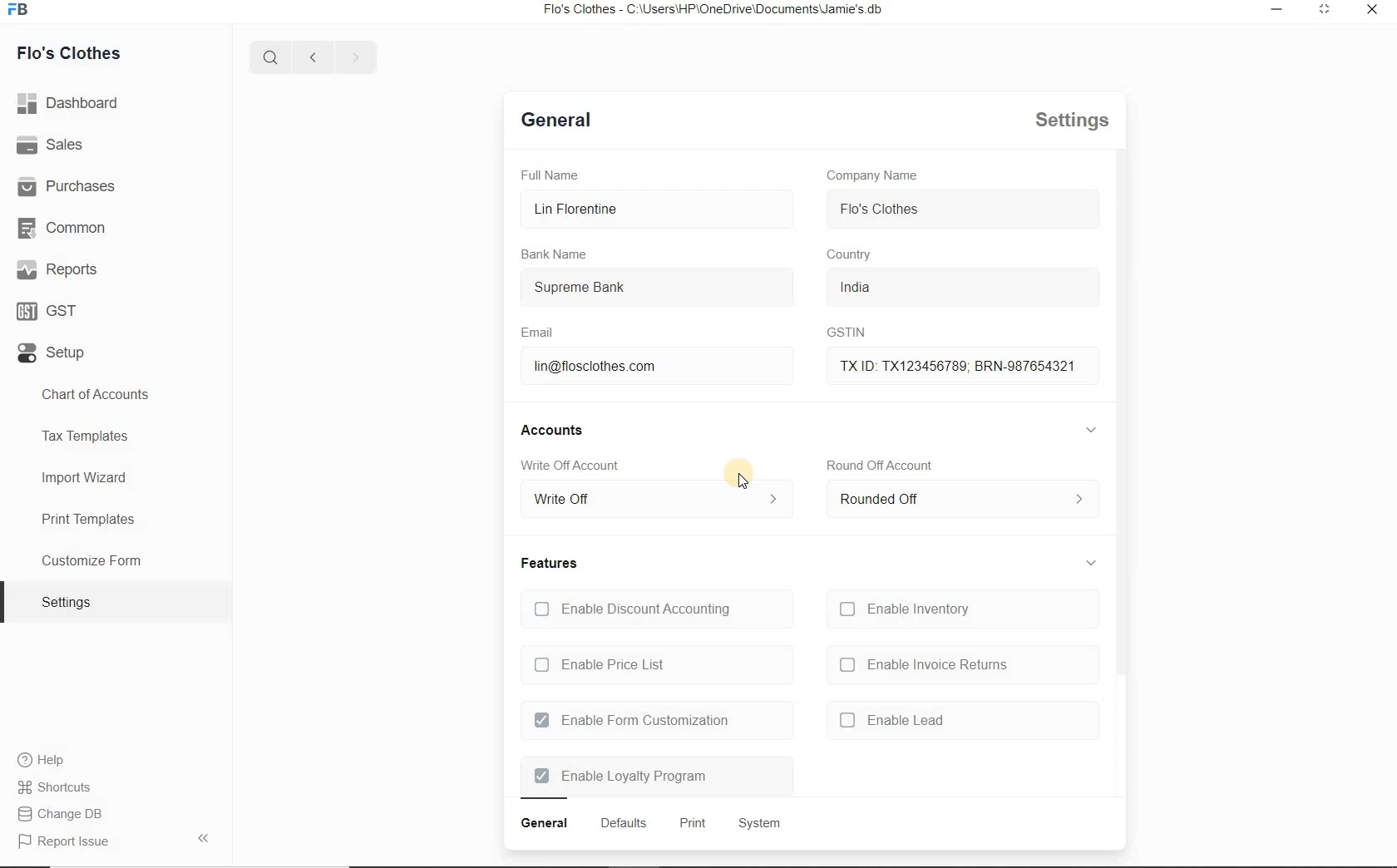 The height and width of the screenshot is (868, 1397). I want to click on Full Name, so click(551, 176).